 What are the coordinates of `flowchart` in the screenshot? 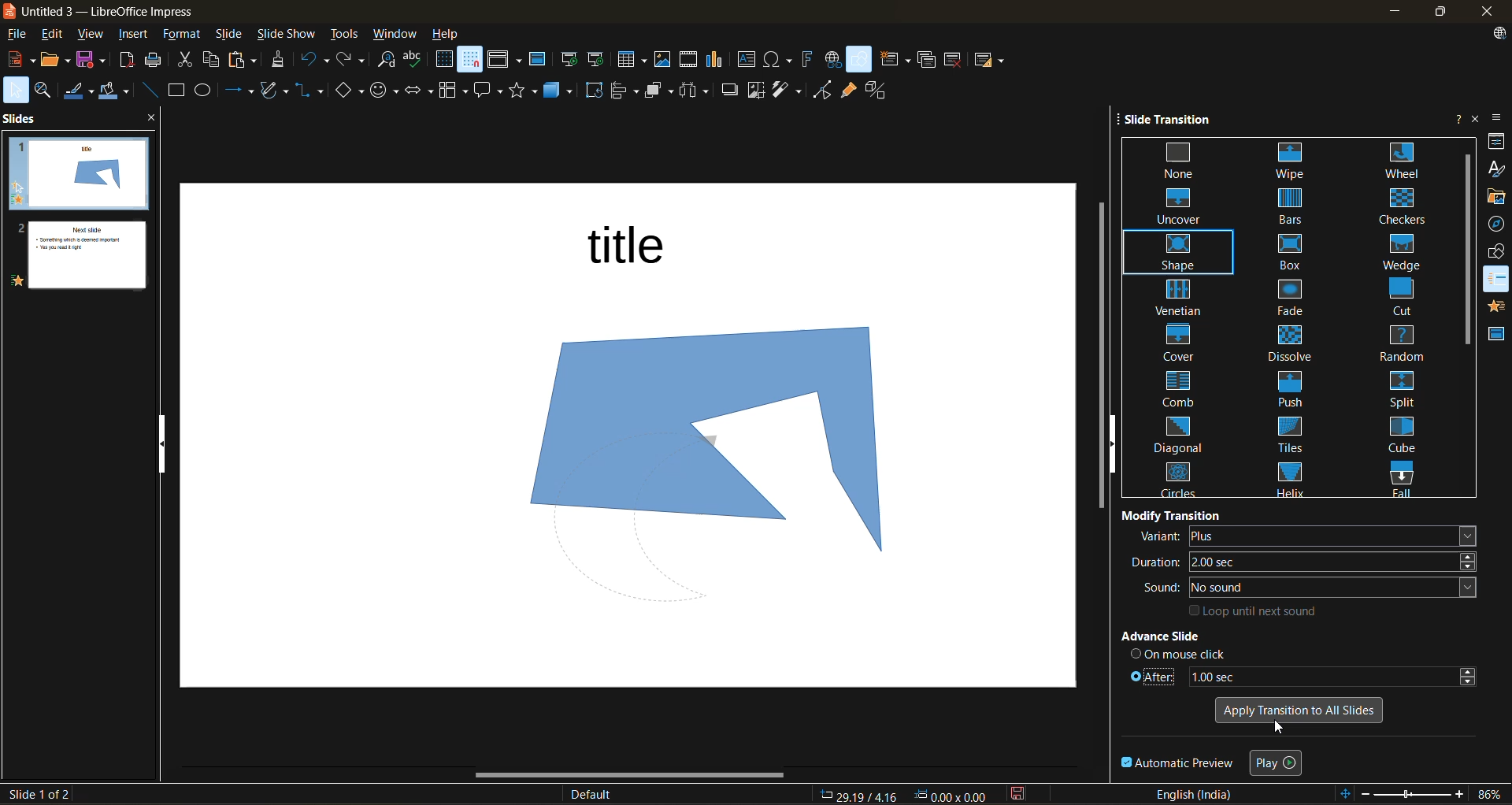 It's located at (452, 91).